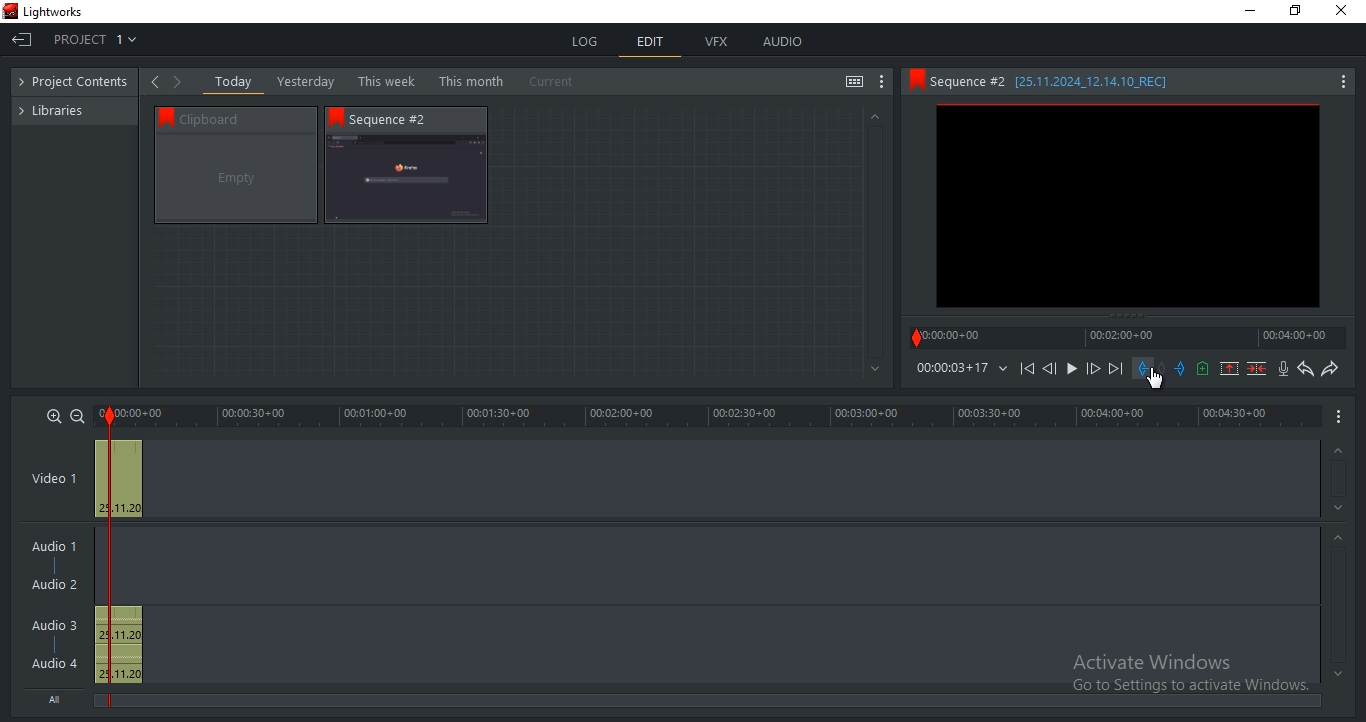 The width and height of the screenshot is (1366, 722). I want to click on Greyed out down arrow, so click(1341, 511).